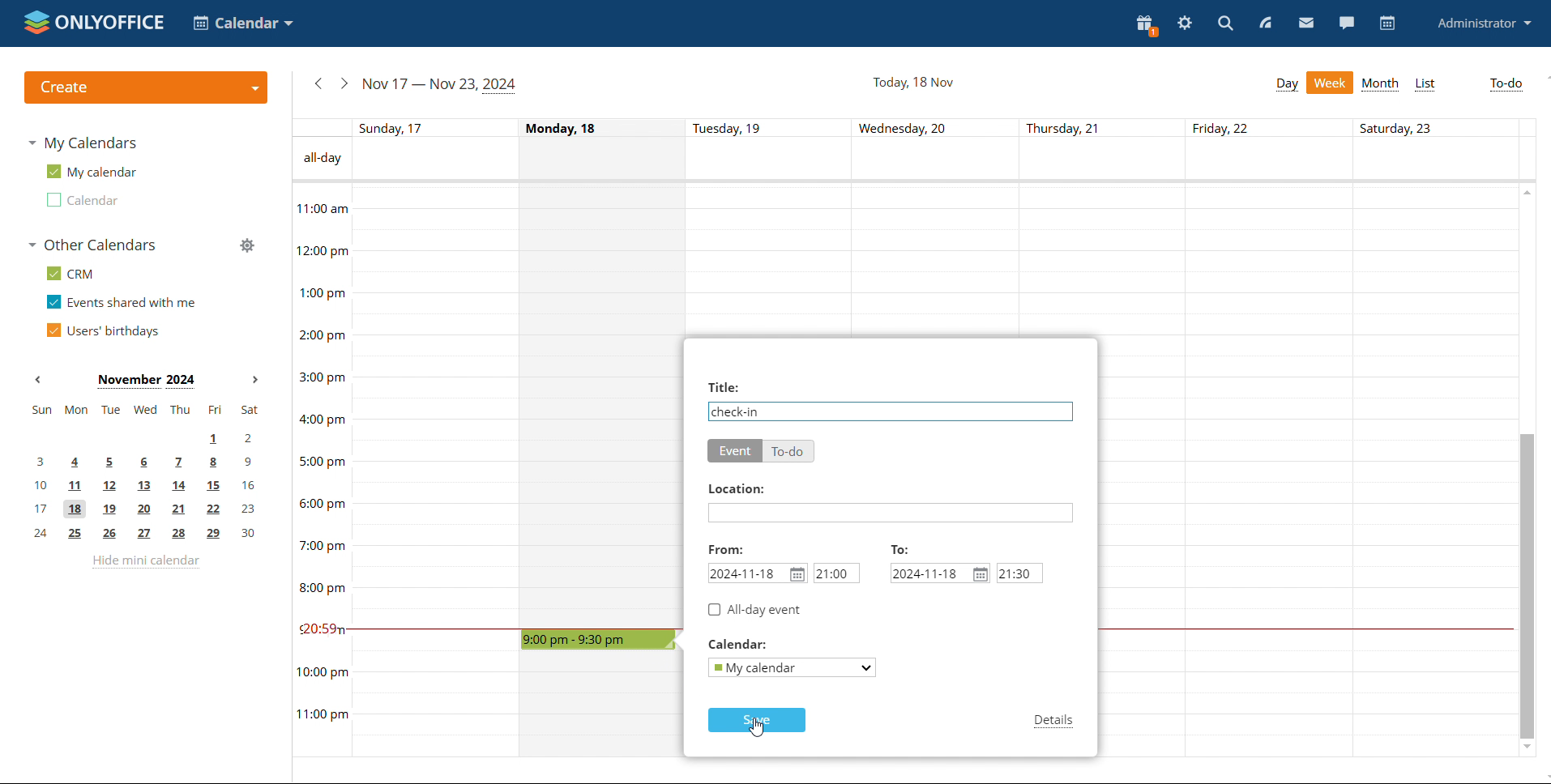  I want to click on Saturday, so click(1431, 471).